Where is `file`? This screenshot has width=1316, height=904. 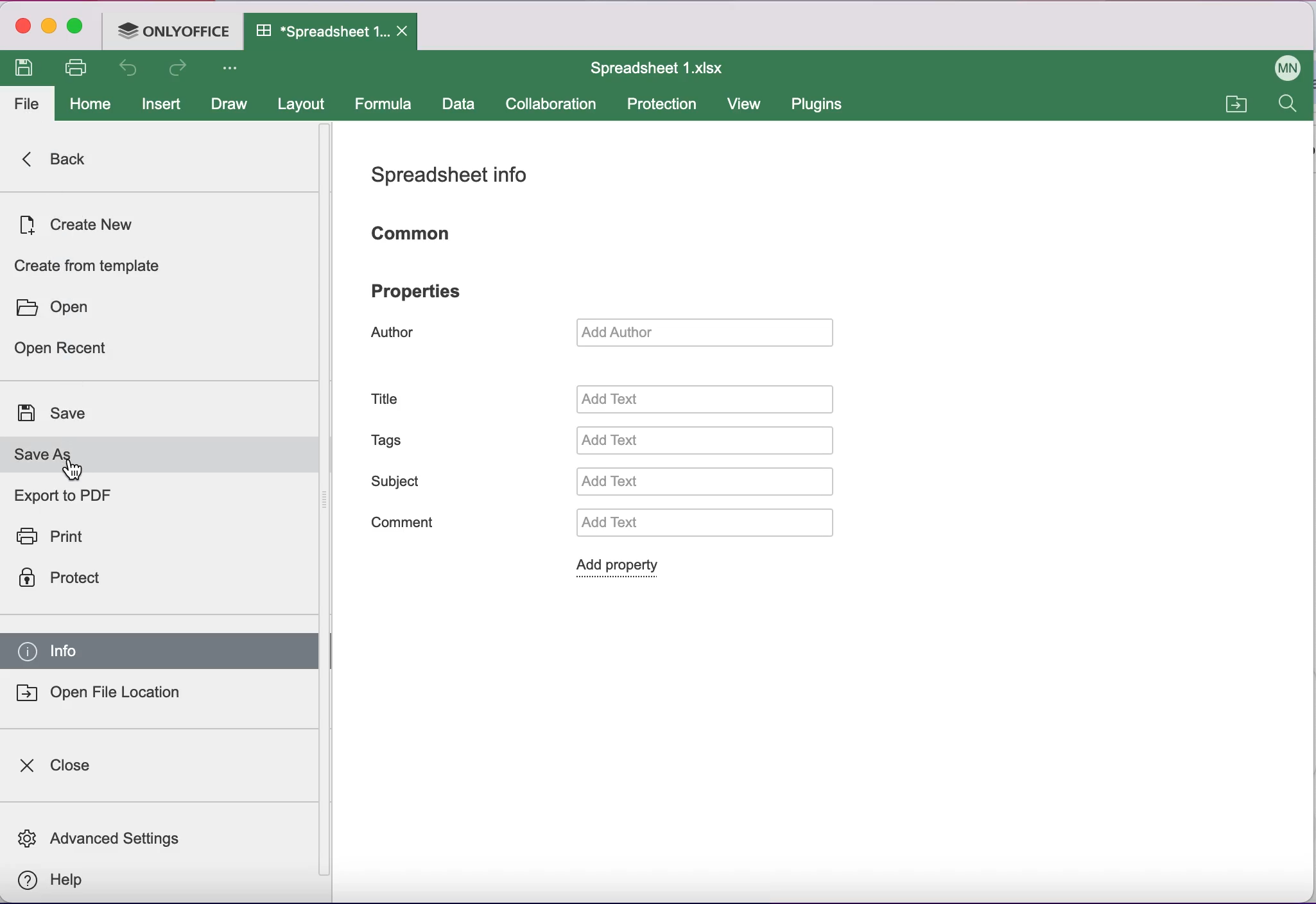
file is located at coordinates (27, 107).